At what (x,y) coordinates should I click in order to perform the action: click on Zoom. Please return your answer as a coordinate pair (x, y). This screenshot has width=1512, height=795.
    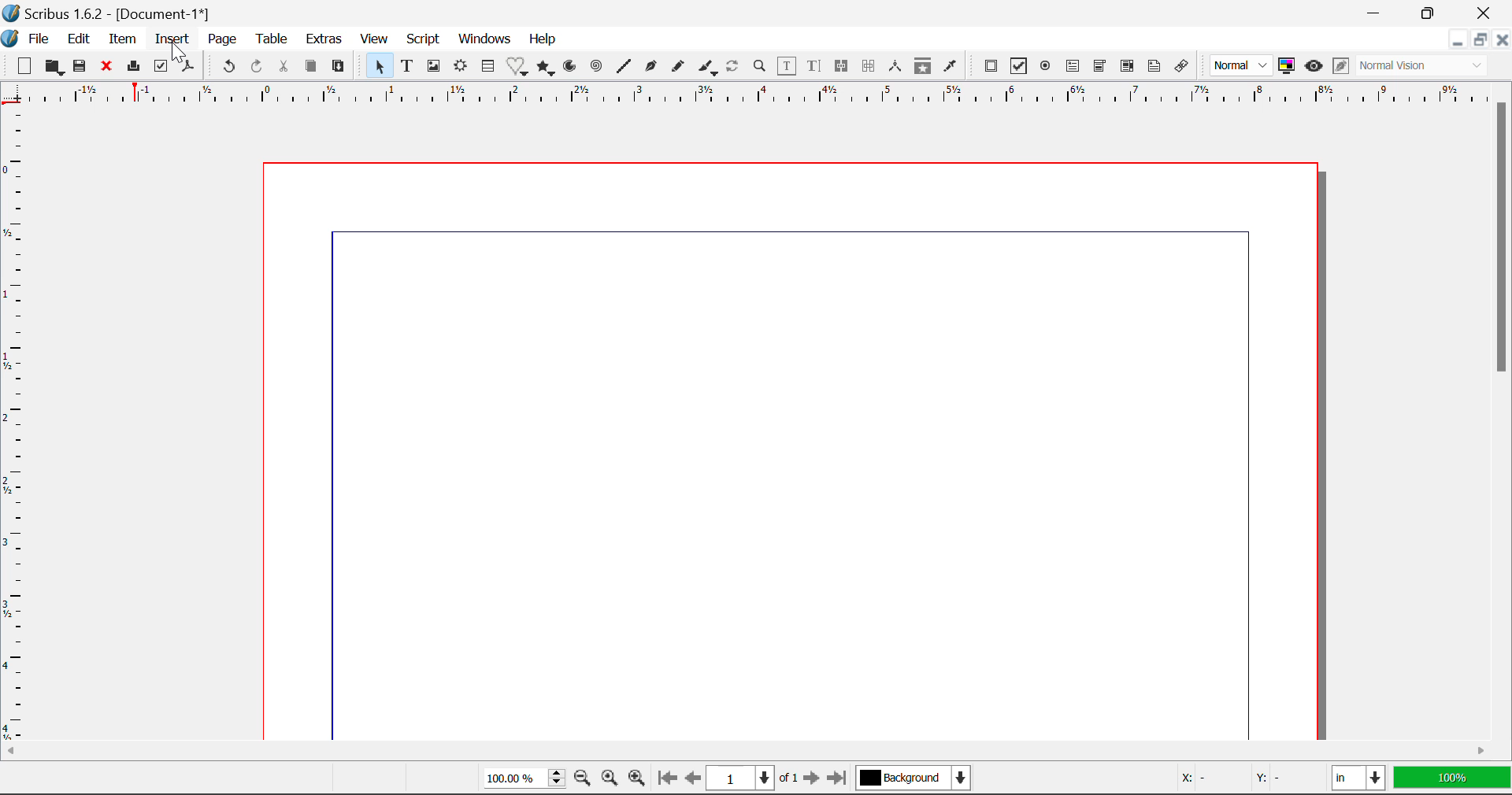
    Looking at the image, I should click on (762, 68).